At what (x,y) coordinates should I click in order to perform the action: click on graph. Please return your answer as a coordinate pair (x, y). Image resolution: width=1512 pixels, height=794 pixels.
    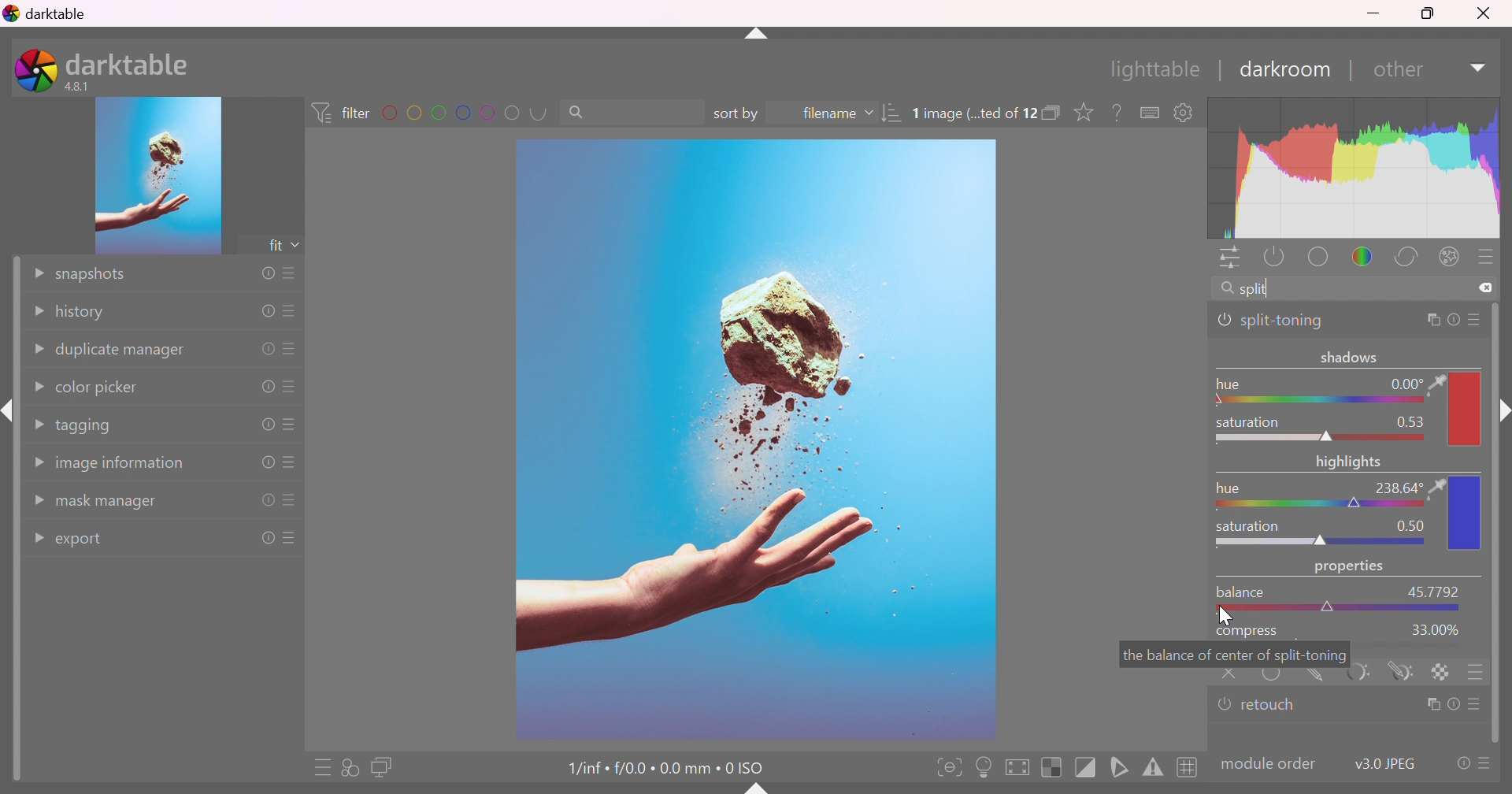
    Looking at the image, I should click on (1354, 169).